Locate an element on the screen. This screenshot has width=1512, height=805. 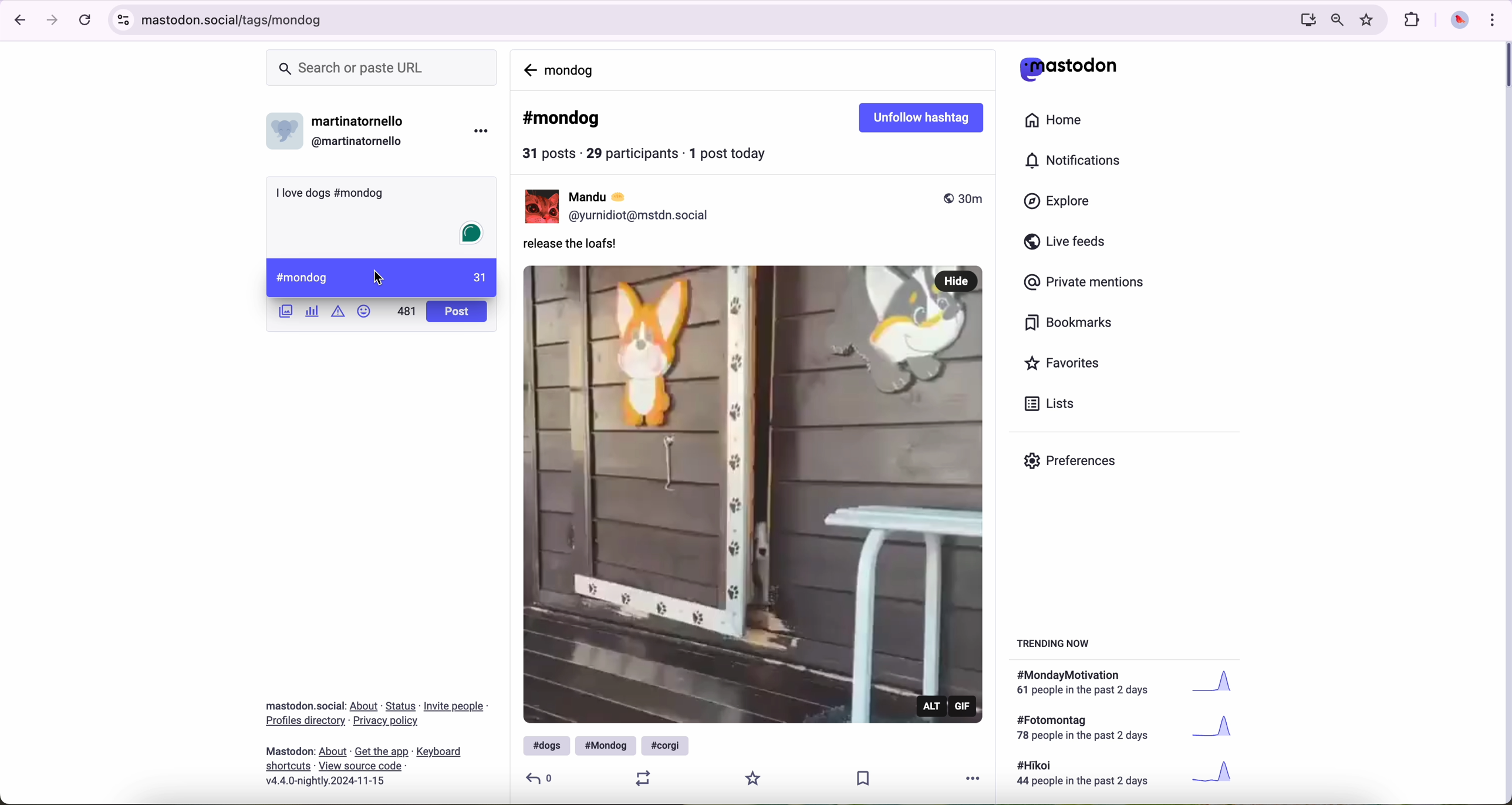
I love dogs #mondog is located at coordinates (333, 193).